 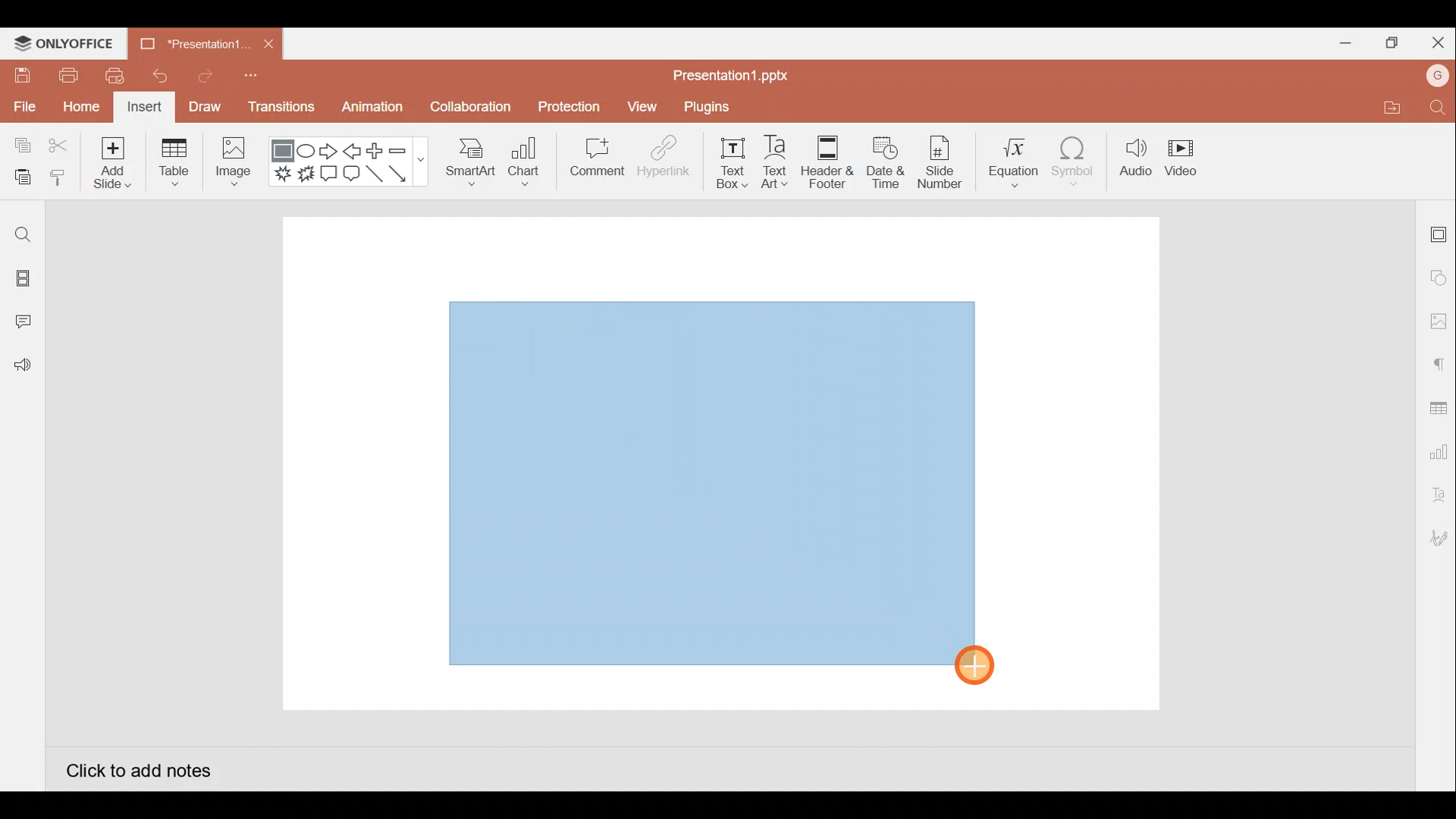 What do you see at coordinates (469, 113) in the screenshot?
I see `Collaboration` at bounding box center [469, 113].